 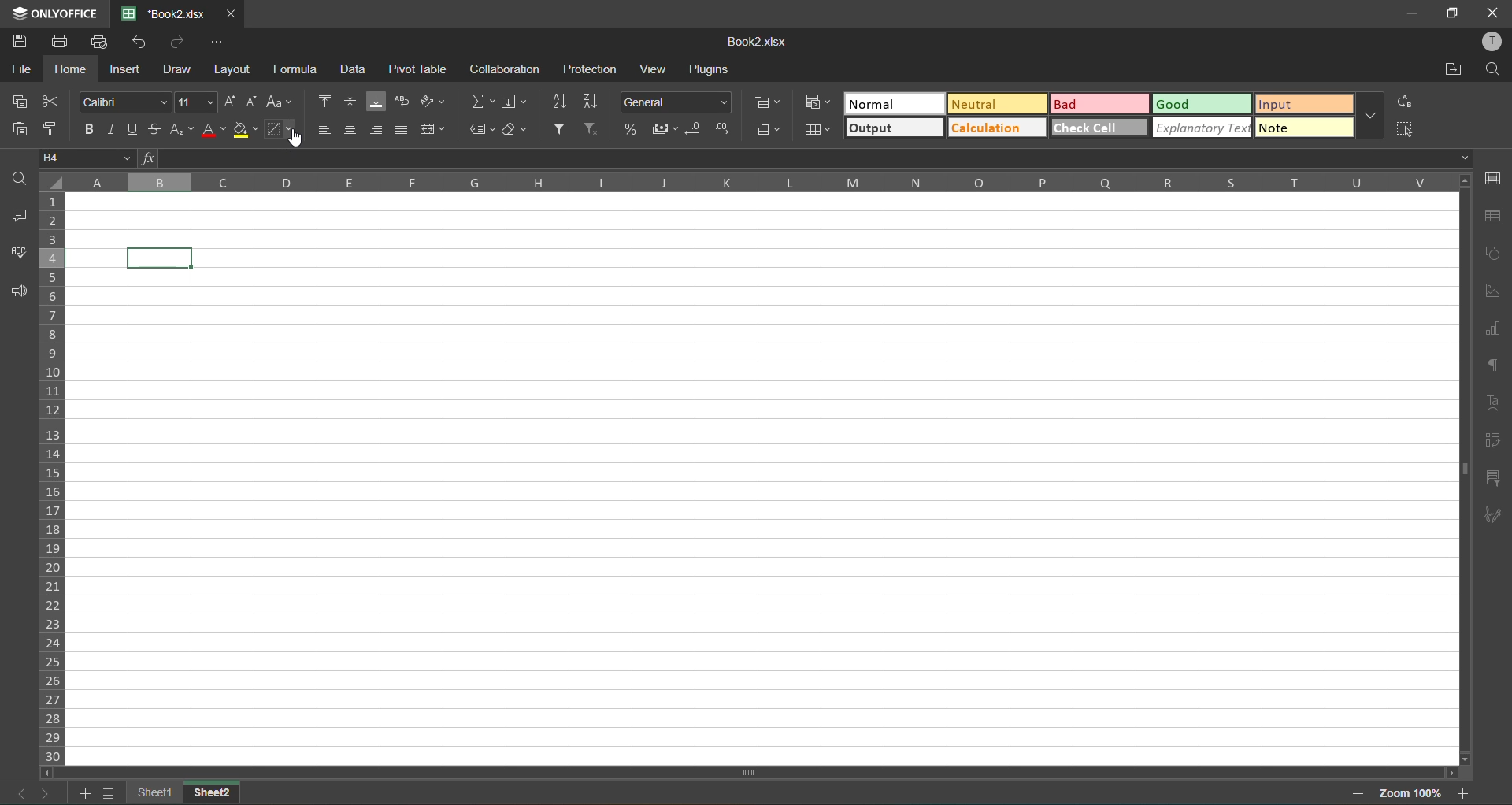 What do you see at coordinates (666, 131) in the screenshot?
I see `accounting` at bounding box center [666, 131].